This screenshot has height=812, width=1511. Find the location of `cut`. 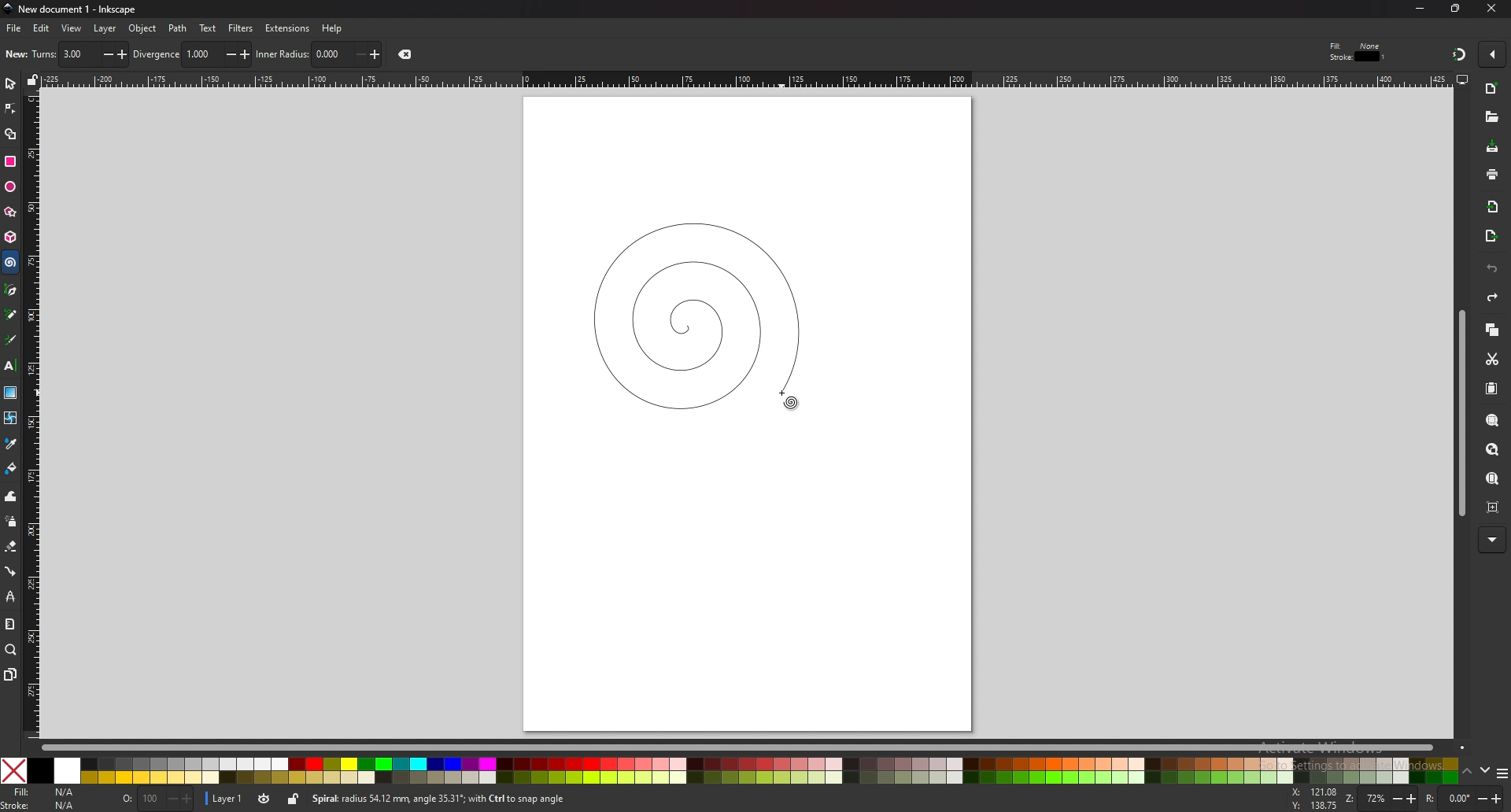

cut is located at coordinates (1493, 360).